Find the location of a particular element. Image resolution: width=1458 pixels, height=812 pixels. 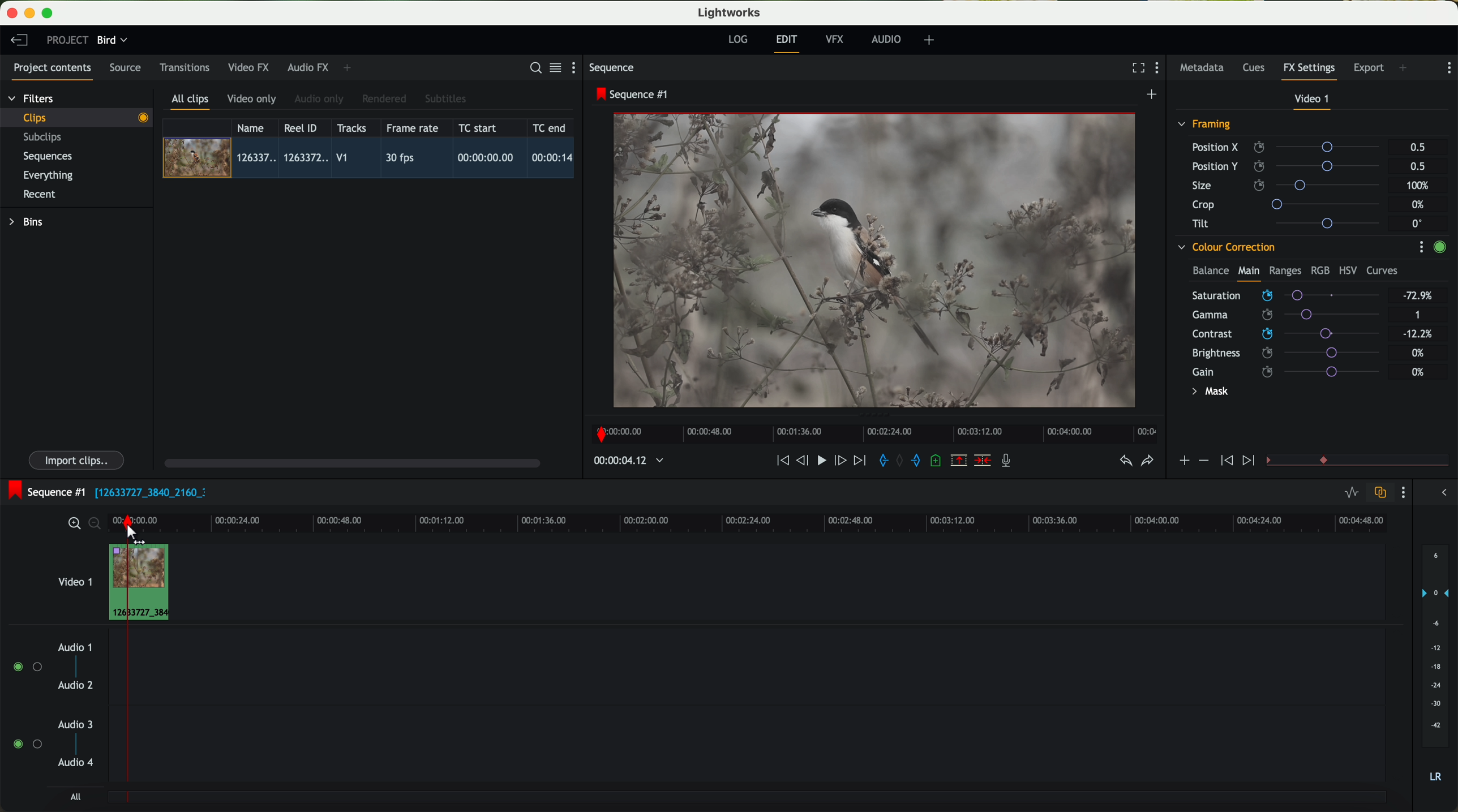

mouse down is located at coordinates (133, 535).